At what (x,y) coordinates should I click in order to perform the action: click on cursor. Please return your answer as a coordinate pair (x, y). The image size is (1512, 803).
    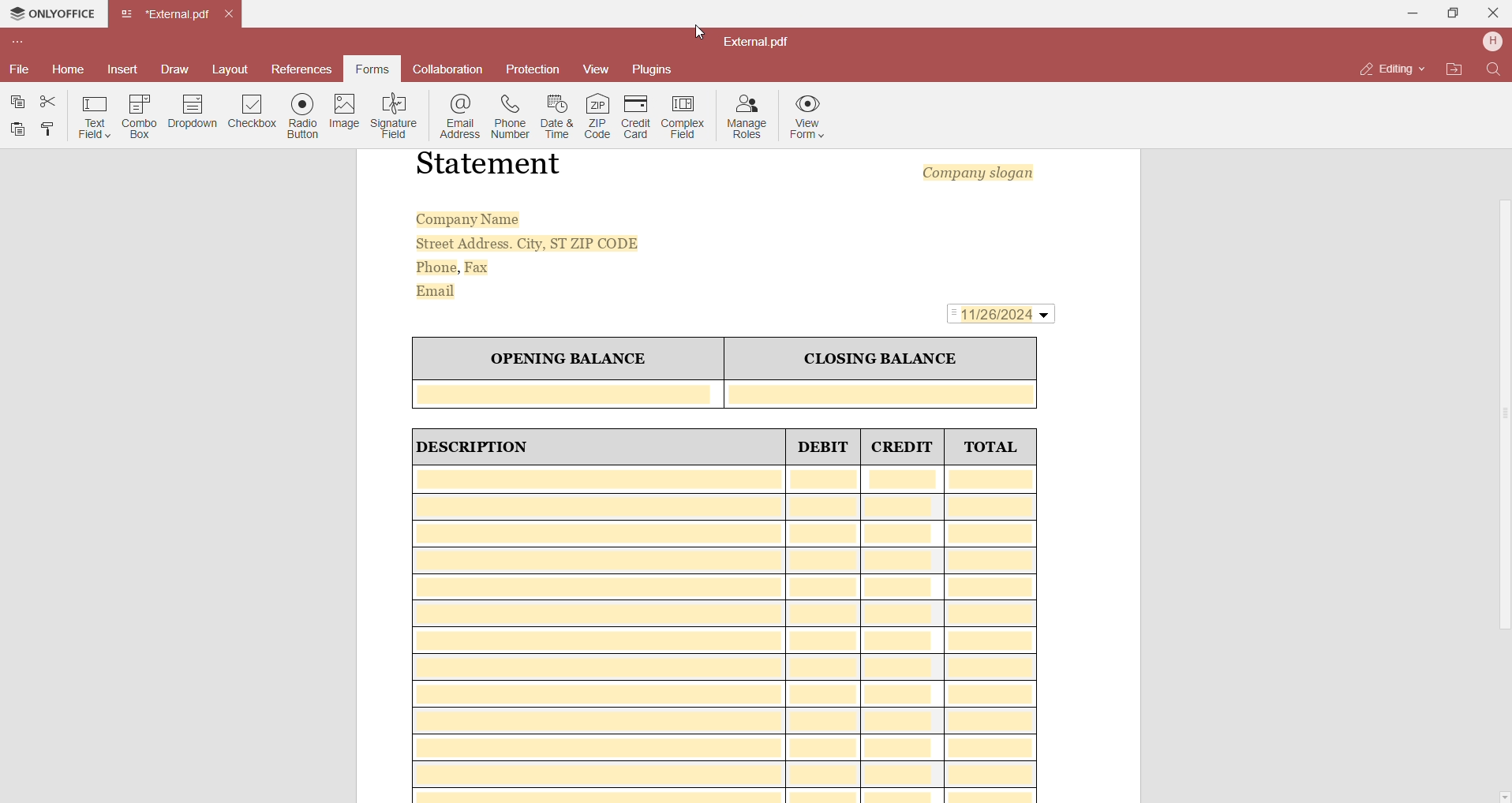
    Looking at the image, I should click on (701, 32).